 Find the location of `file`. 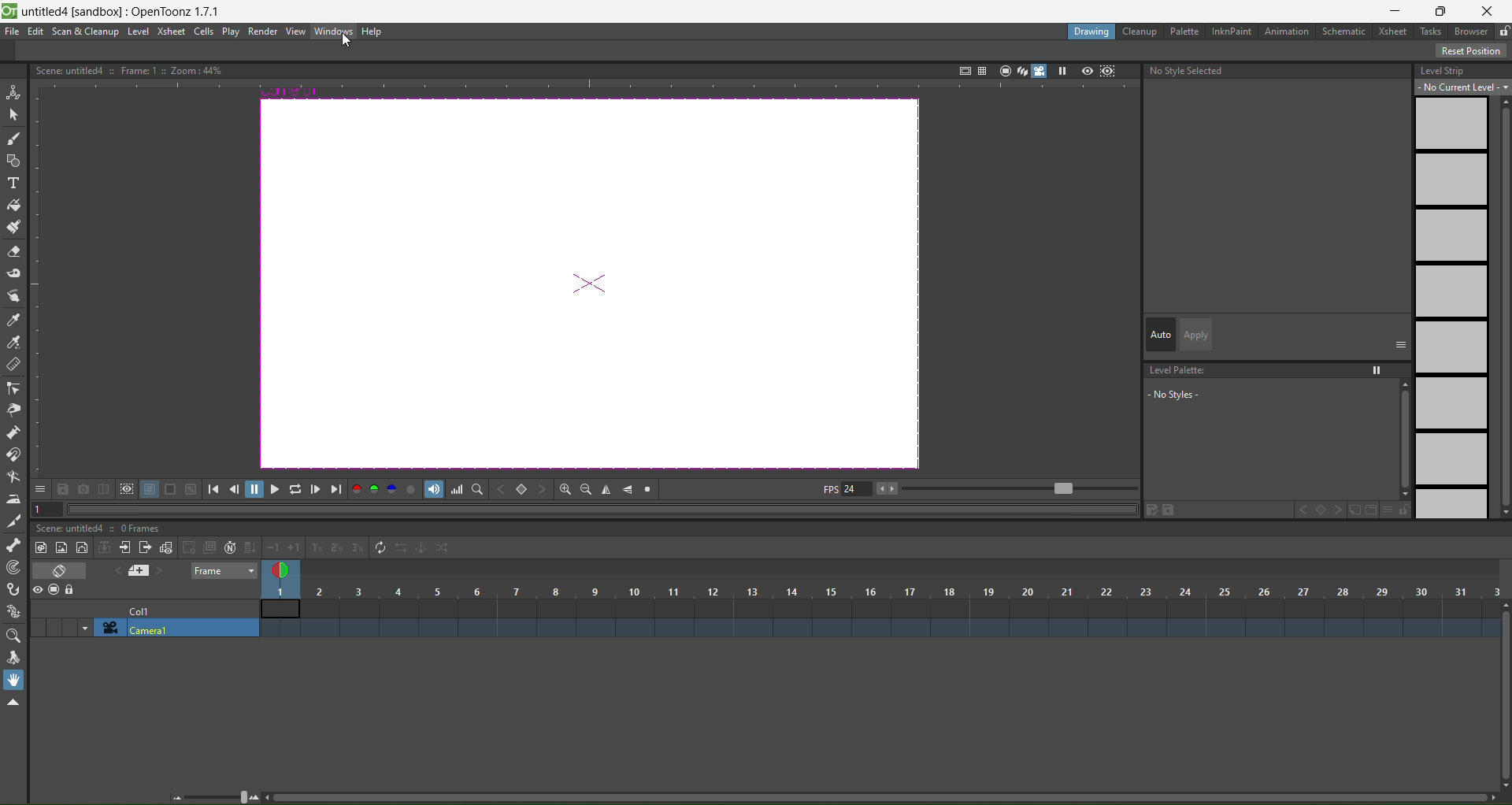

file is located at coordinates (13, 32).